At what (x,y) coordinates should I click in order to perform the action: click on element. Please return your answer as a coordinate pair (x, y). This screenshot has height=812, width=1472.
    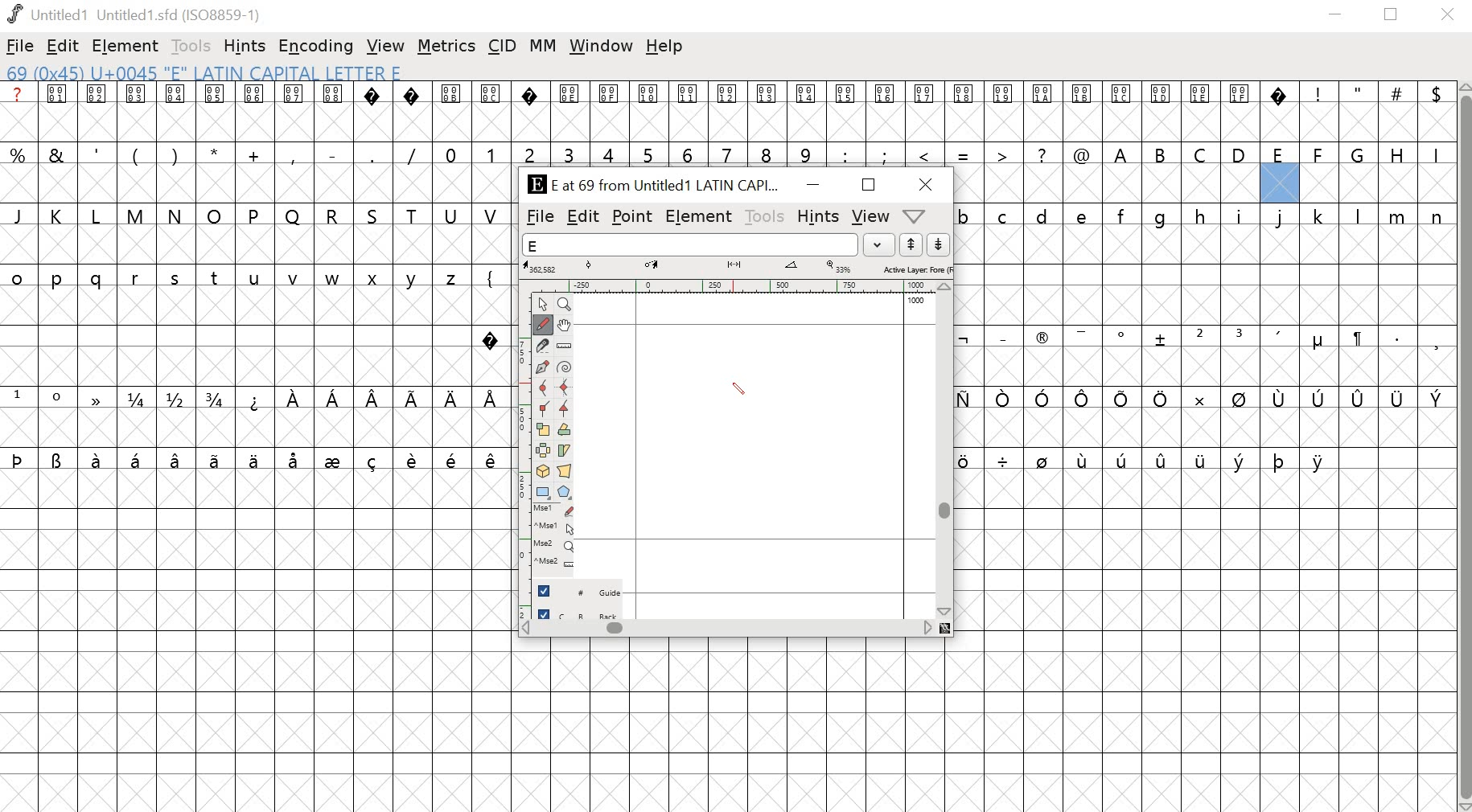
    Looking at the image, I should click on (698, 216).